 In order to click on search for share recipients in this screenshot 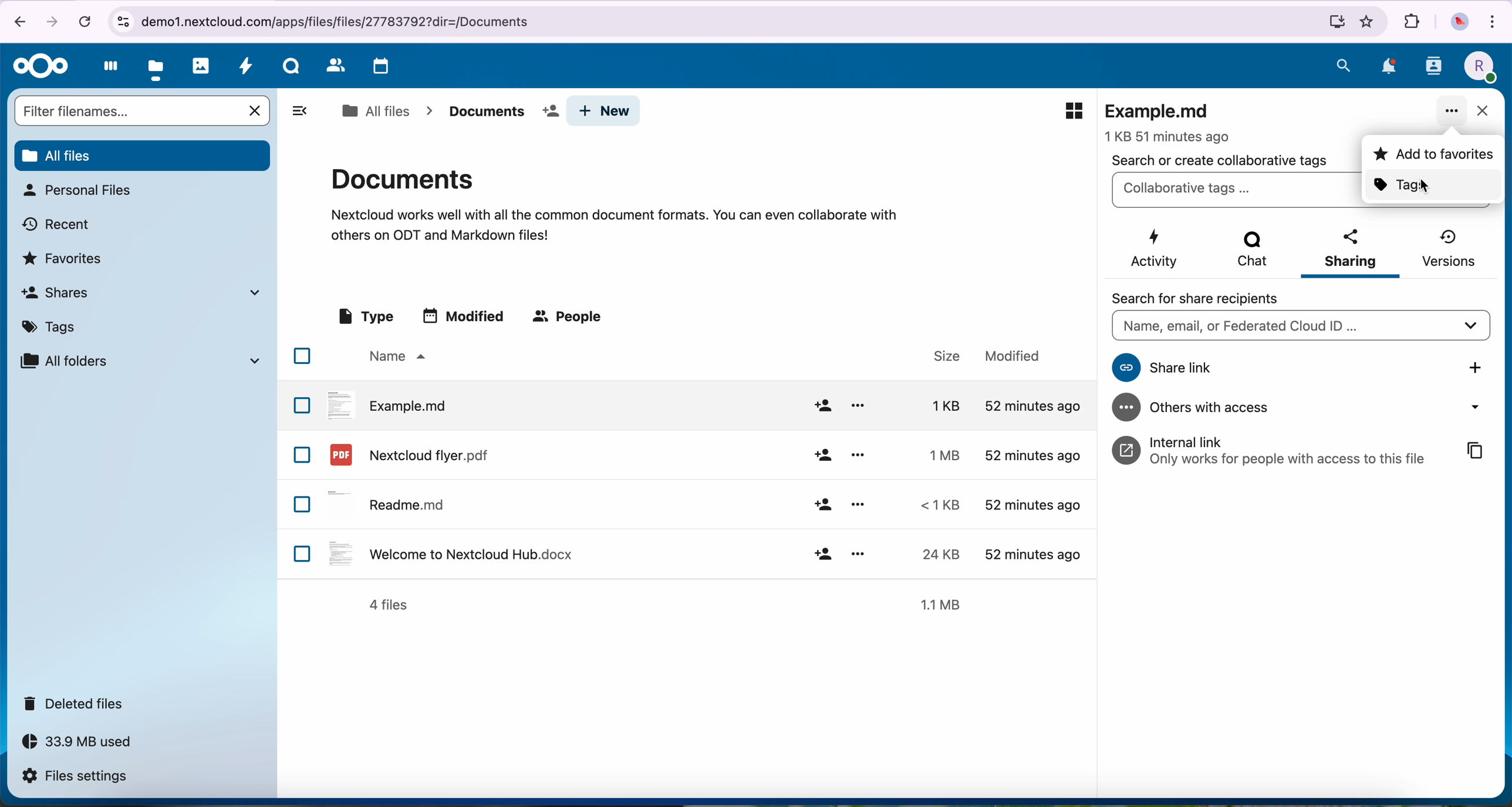, I will do `click(1207, 298)`.